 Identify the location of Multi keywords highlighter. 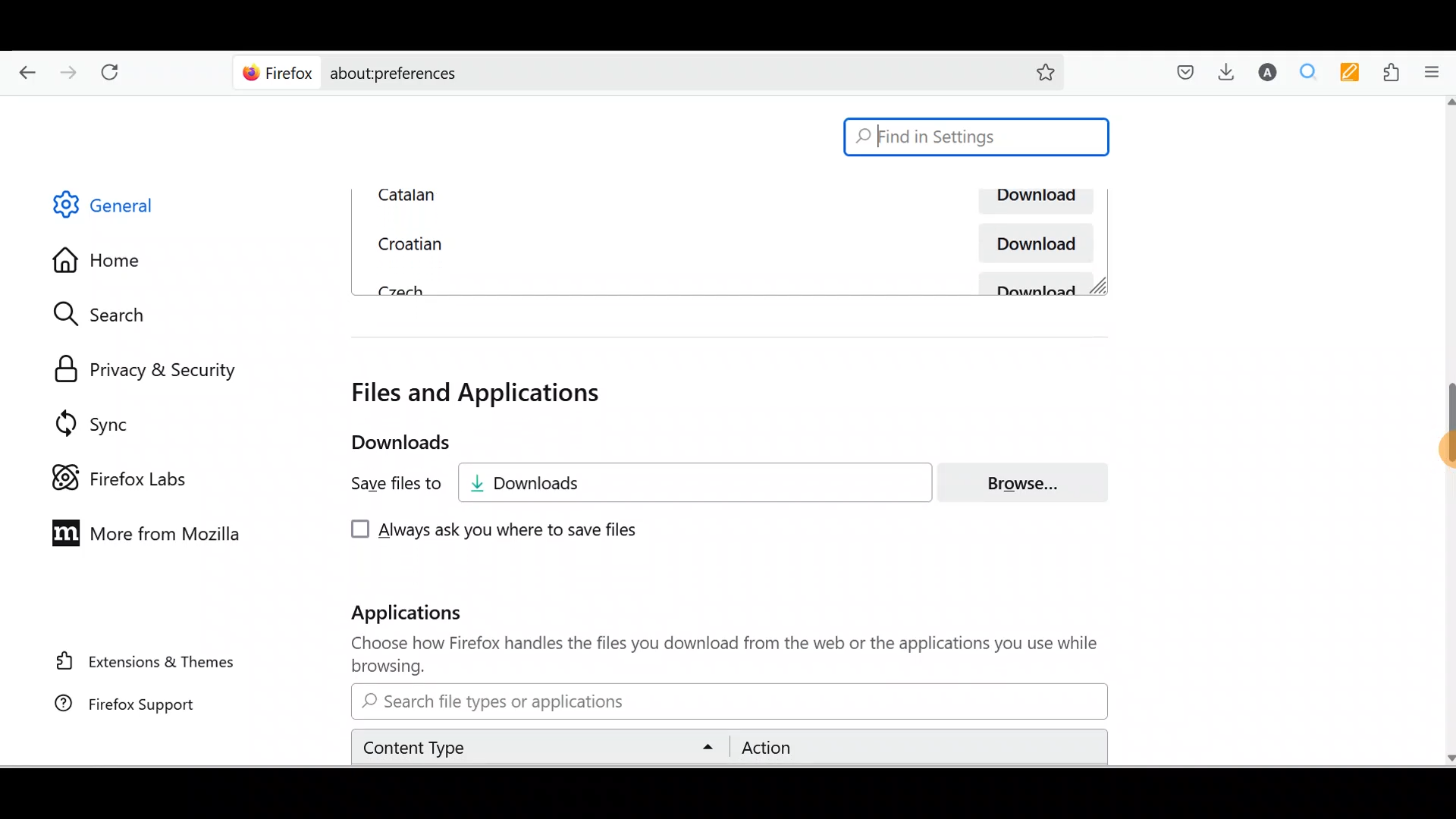
(1354, 73).